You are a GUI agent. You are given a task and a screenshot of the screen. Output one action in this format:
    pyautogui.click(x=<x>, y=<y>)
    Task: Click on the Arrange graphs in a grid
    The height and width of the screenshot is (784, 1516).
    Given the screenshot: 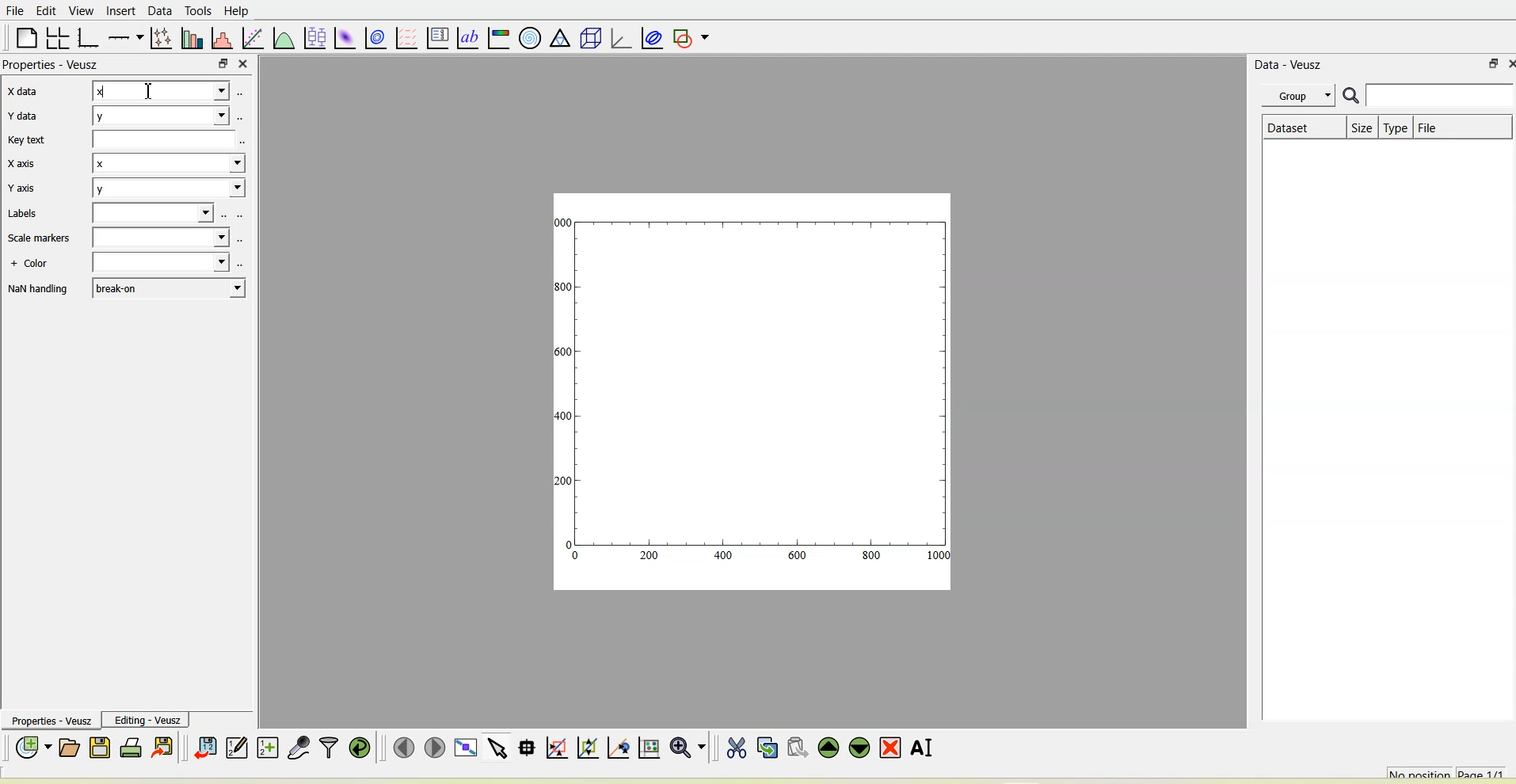 What is the action you would take?
    pyautogui.click(x=58, y=38)
    